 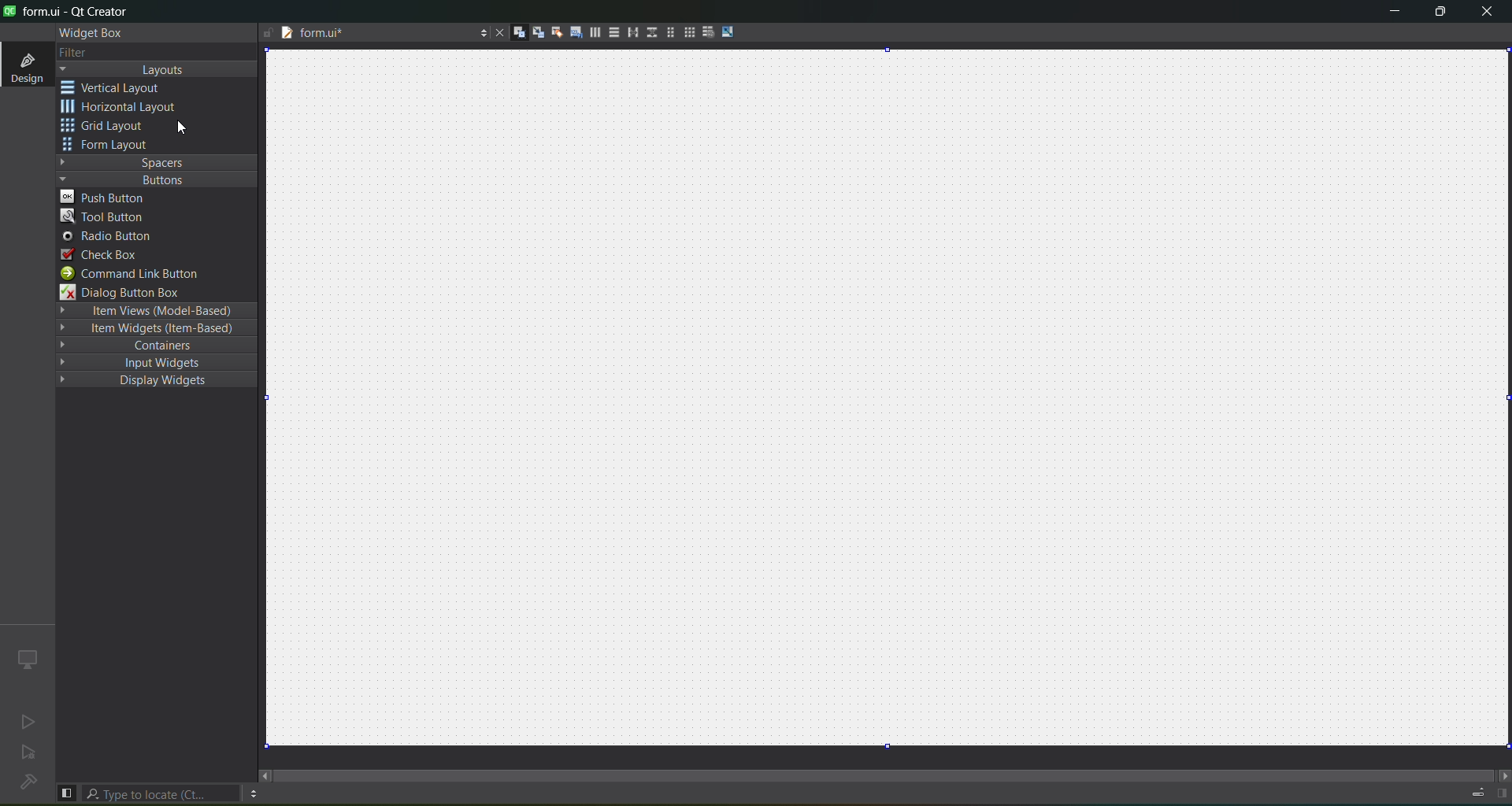 I want to click on search, so click(x=162, y=793).